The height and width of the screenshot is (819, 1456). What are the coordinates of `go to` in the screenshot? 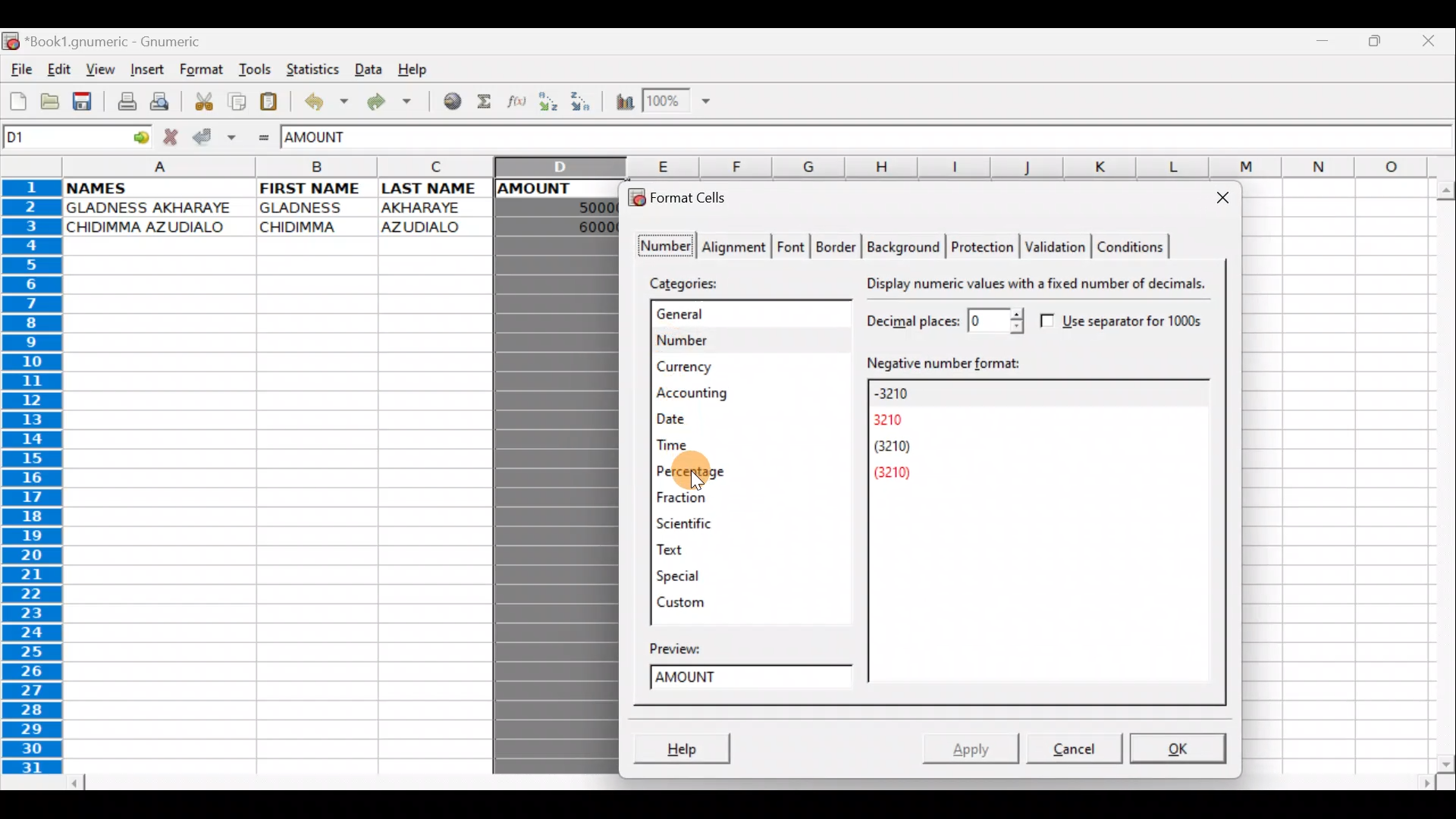 It's located at (144, 138).